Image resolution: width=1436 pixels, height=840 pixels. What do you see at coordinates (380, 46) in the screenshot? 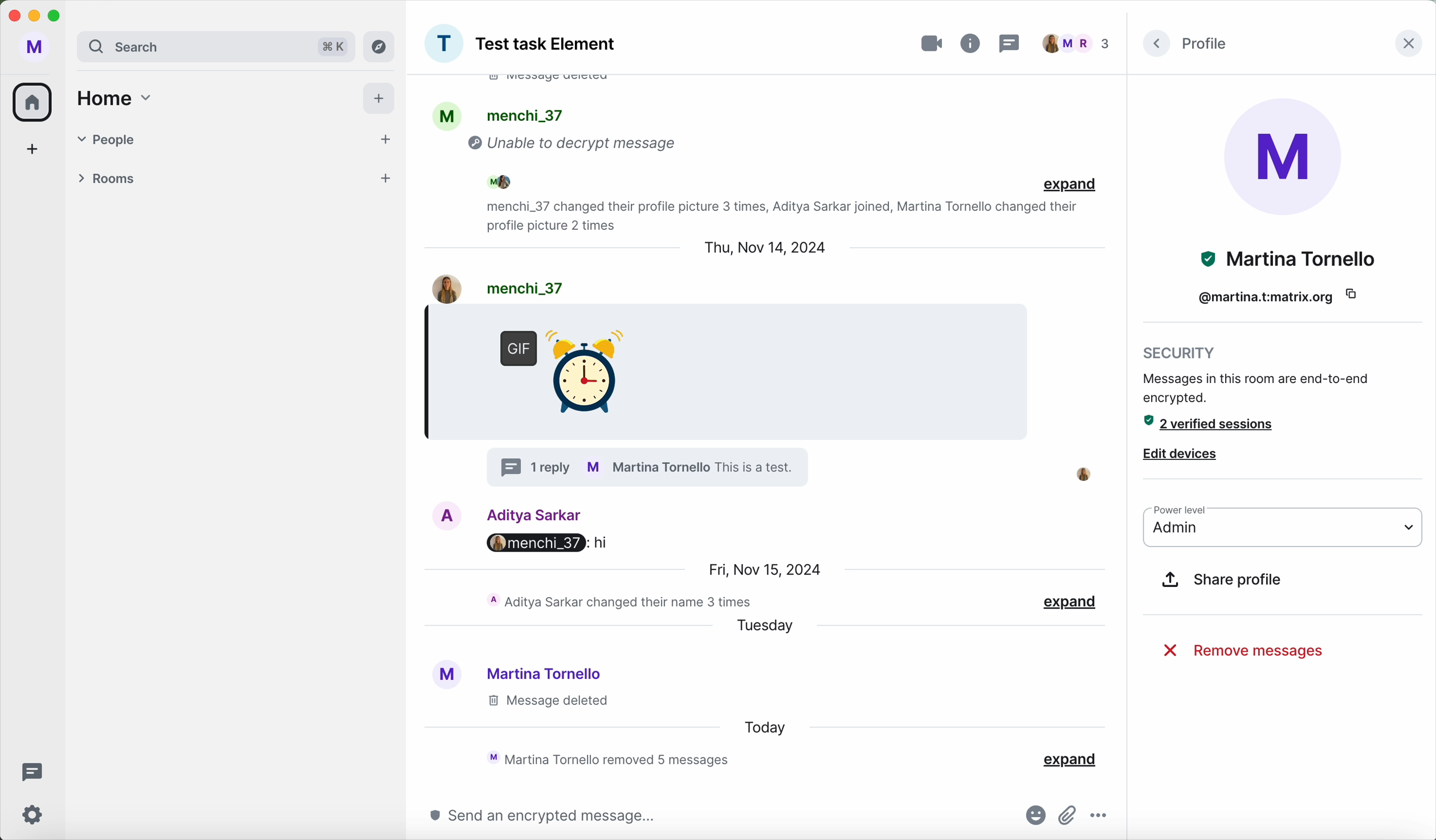
I see `explore` at bounding box center [380, 46].